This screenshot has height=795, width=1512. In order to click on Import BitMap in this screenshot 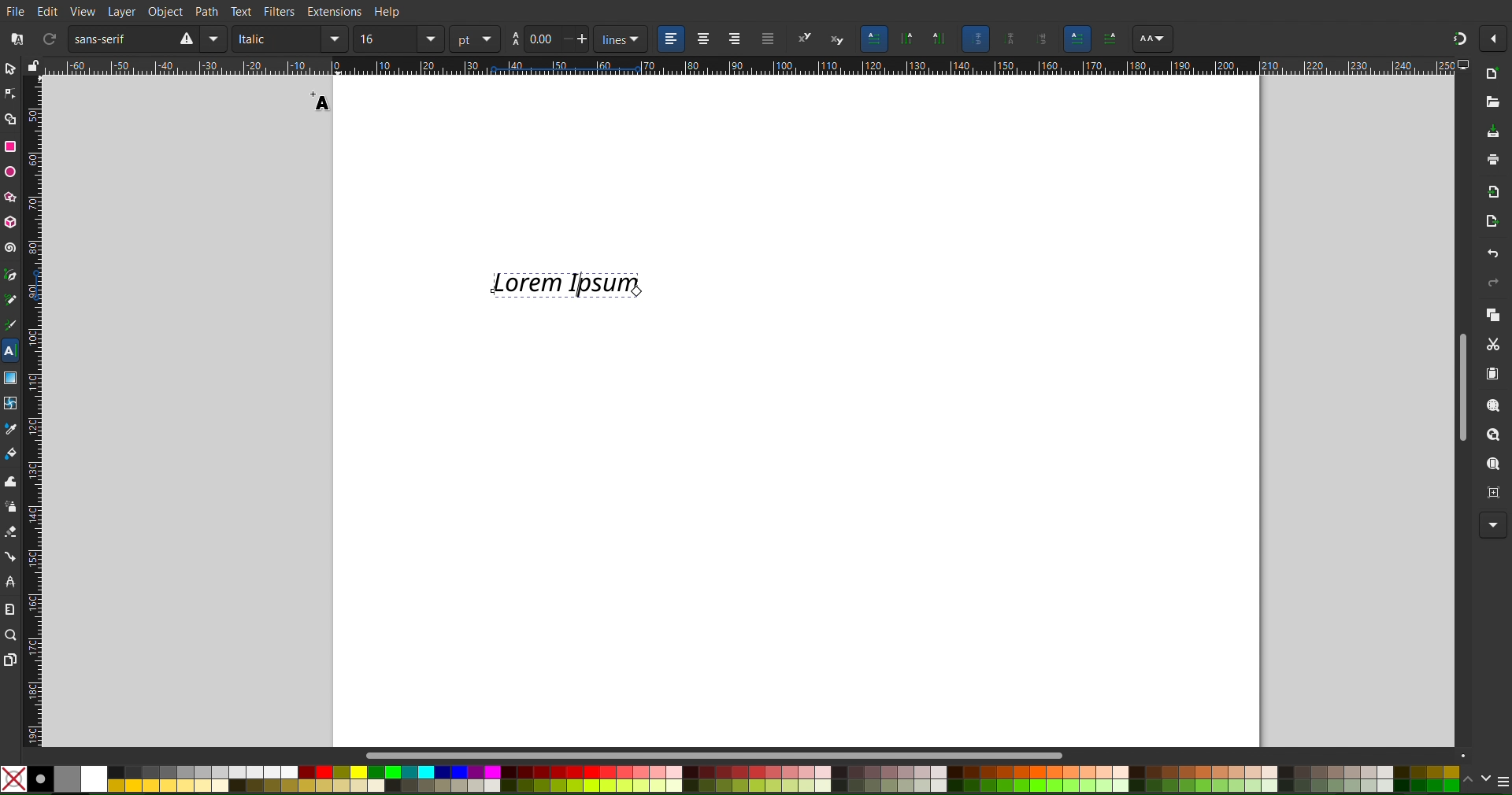, I will do `click(1492, 190)`.